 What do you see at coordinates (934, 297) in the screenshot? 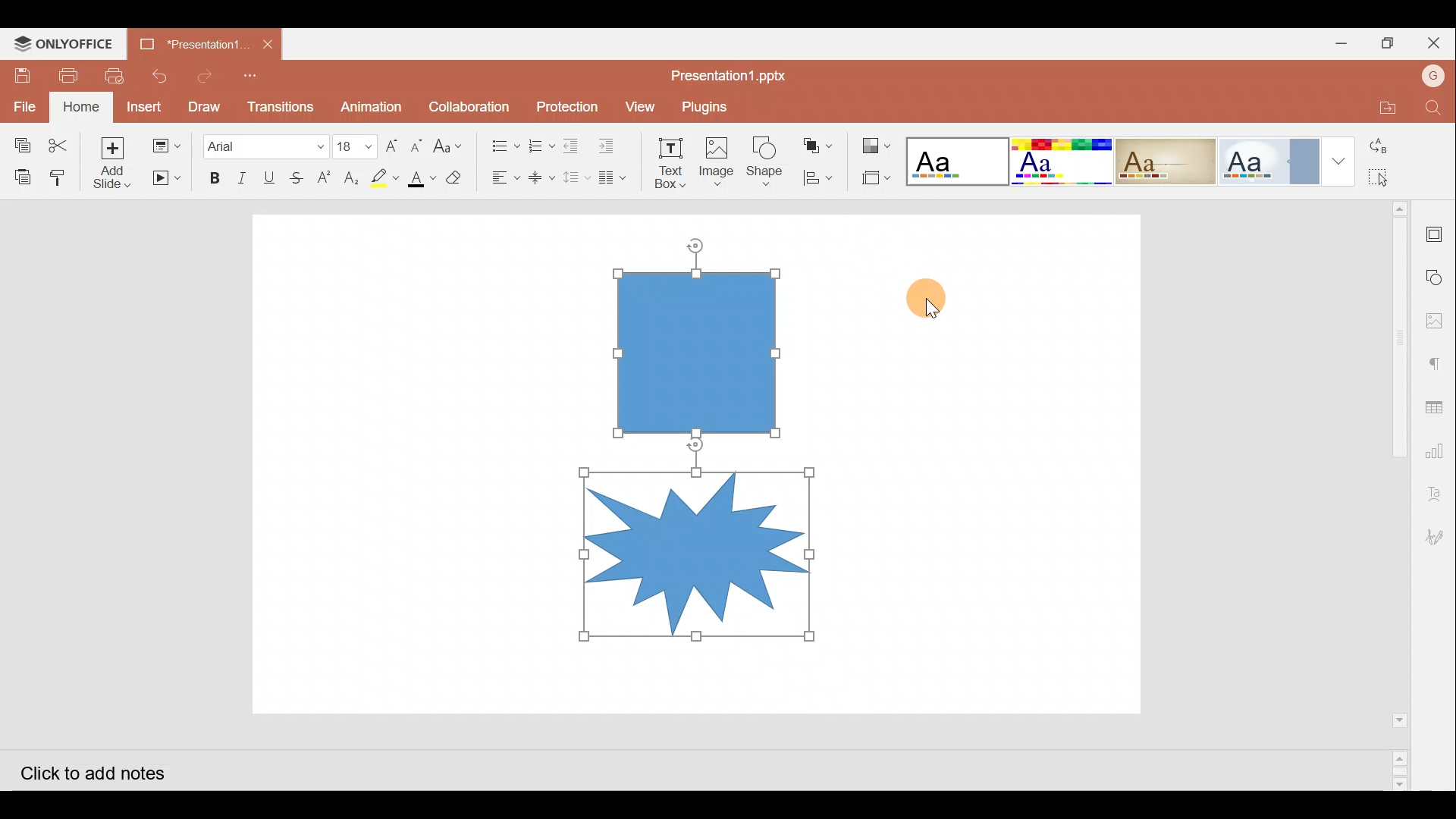
I see `Cursor` at bounding box center [934, 297].